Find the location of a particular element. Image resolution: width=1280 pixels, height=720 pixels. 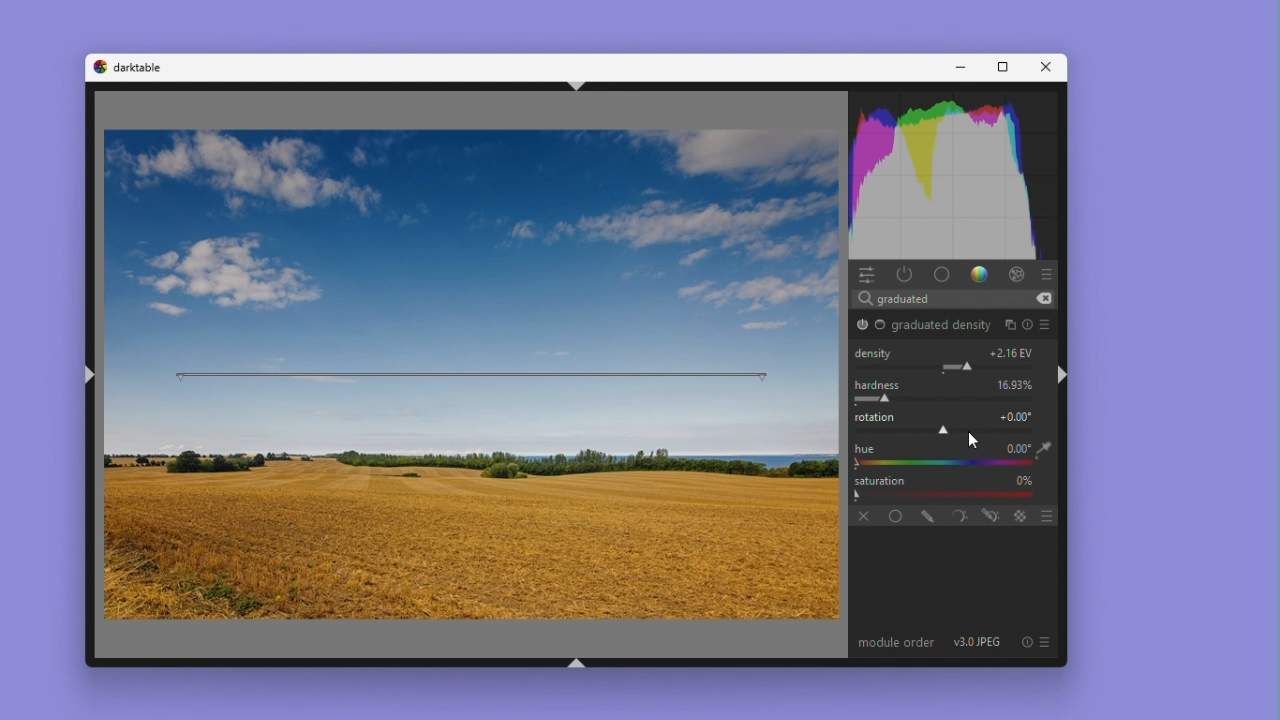

preset is located at coordinates (1047, 641).